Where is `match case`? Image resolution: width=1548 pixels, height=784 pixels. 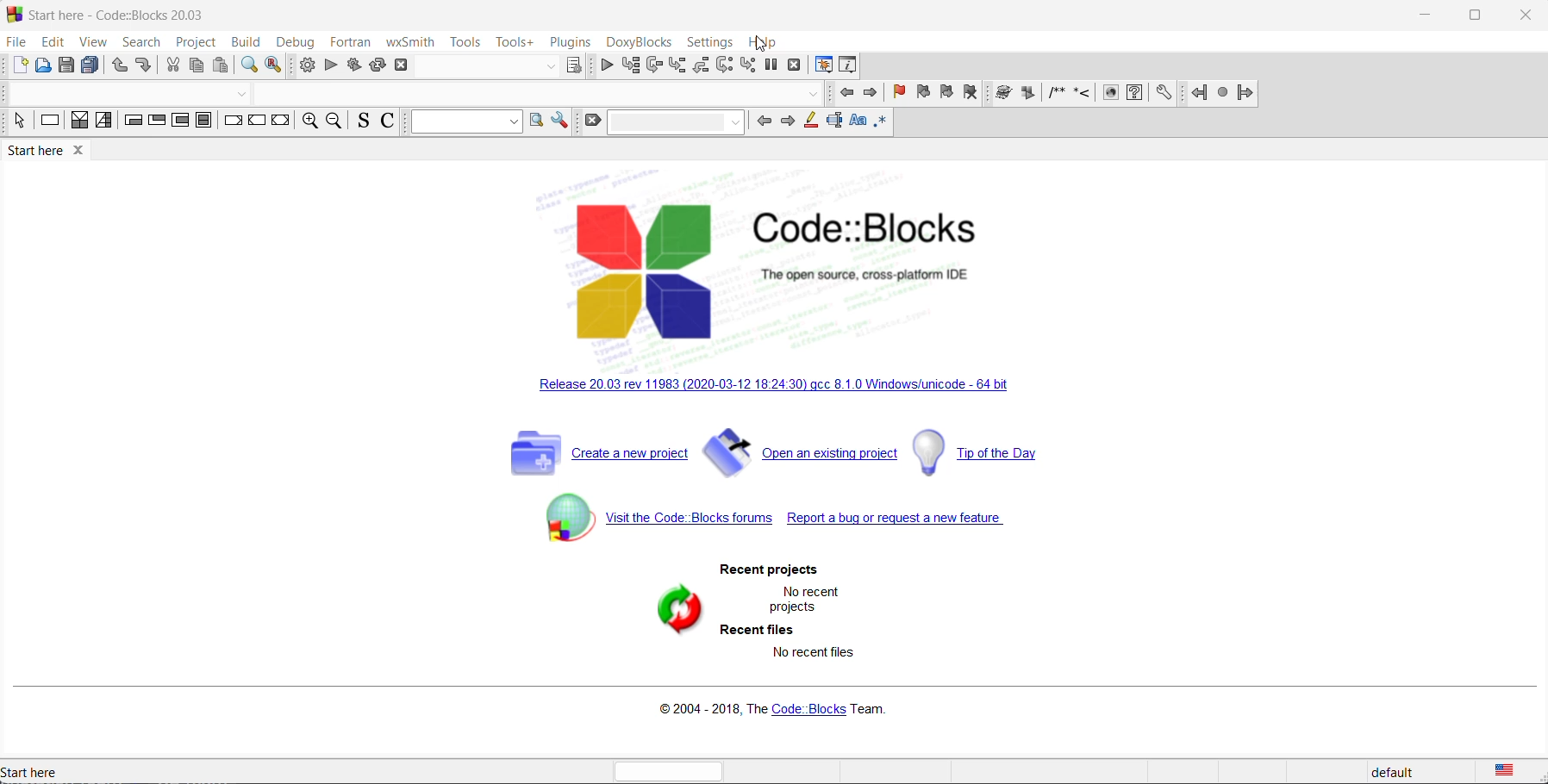
match case is located at coordinates (861, 121).